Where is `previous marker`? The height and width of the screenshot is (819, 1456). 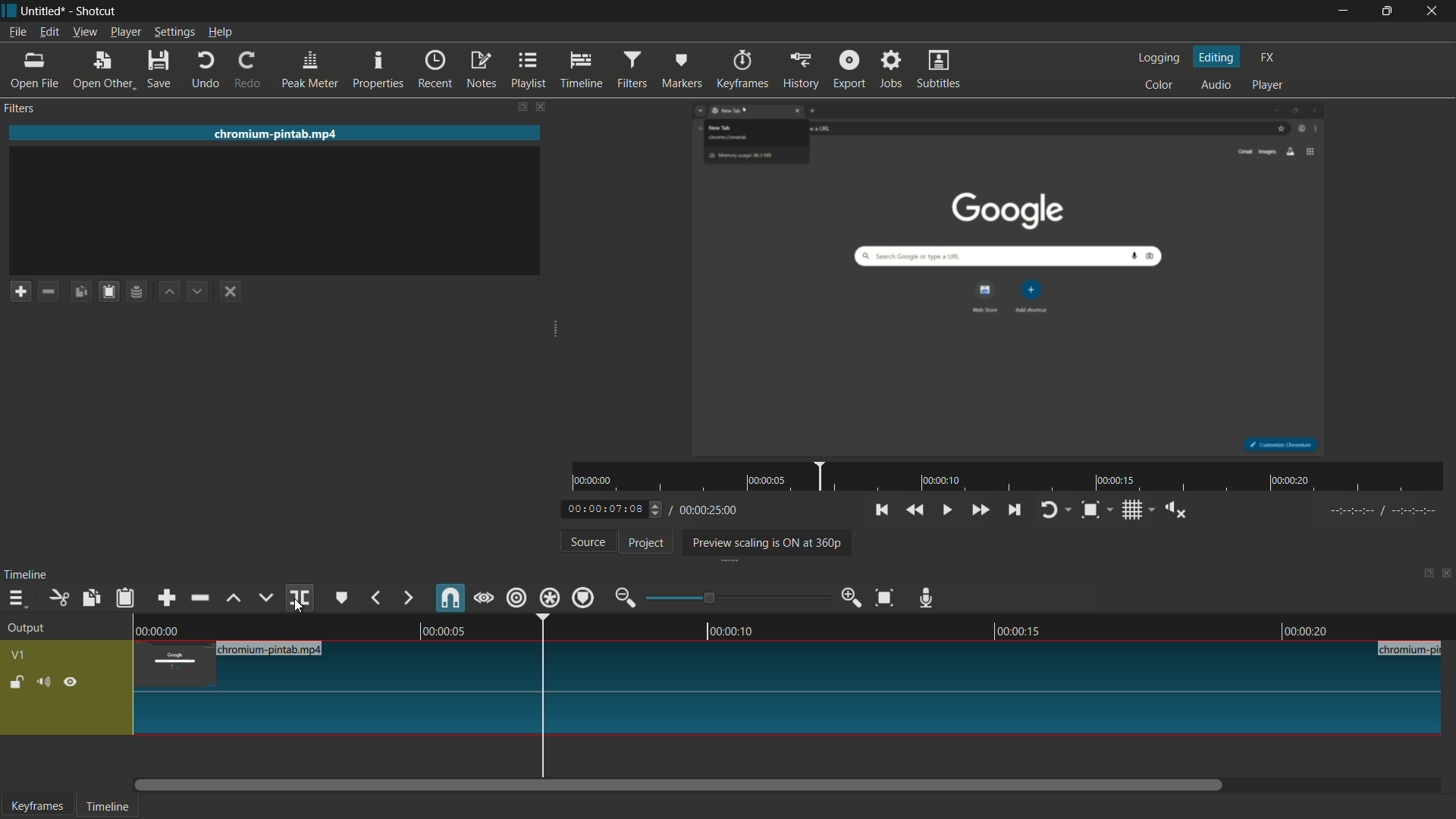 previous marker is located at coordinates (375, 598).